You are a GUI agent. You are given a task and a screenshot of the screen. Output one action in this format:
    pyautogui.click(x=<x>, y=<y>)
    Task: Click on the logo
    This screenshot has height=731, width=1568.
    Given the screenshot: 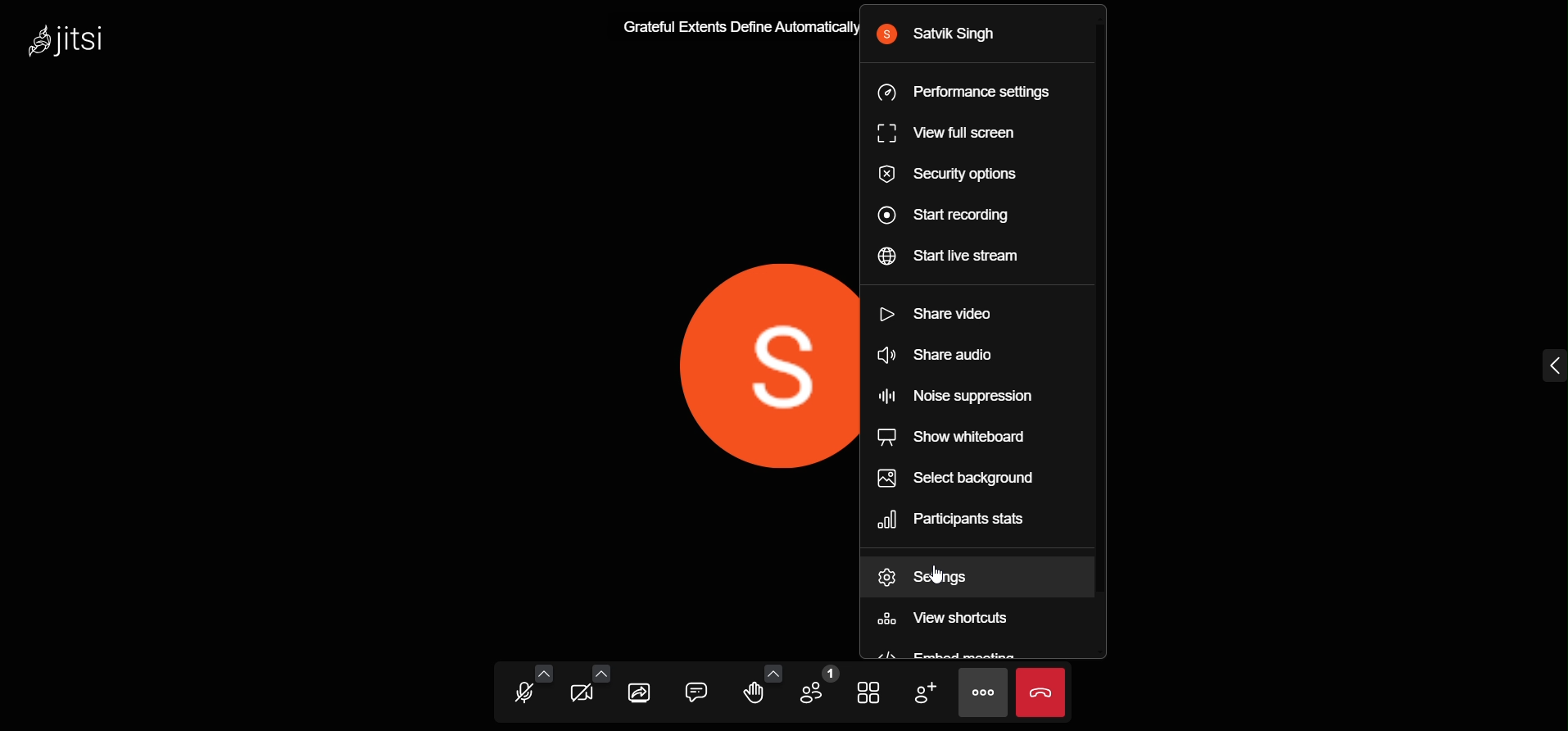 What is the action you would take?
    pyautogui.click(x=71, y=45)
    